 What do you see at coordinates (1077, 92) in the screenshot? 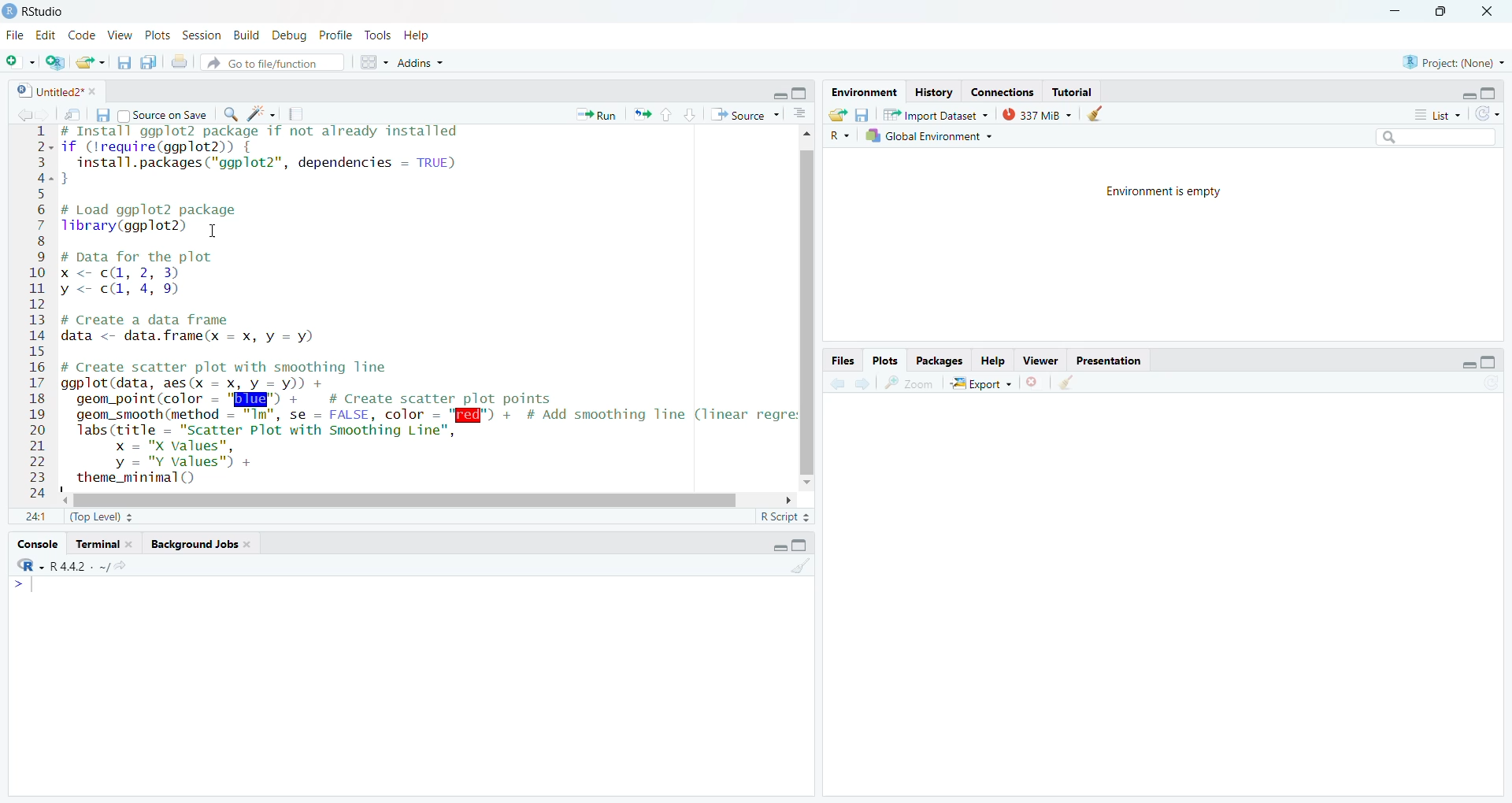
I see `Tutorial` at bounding box center [1077, 92].